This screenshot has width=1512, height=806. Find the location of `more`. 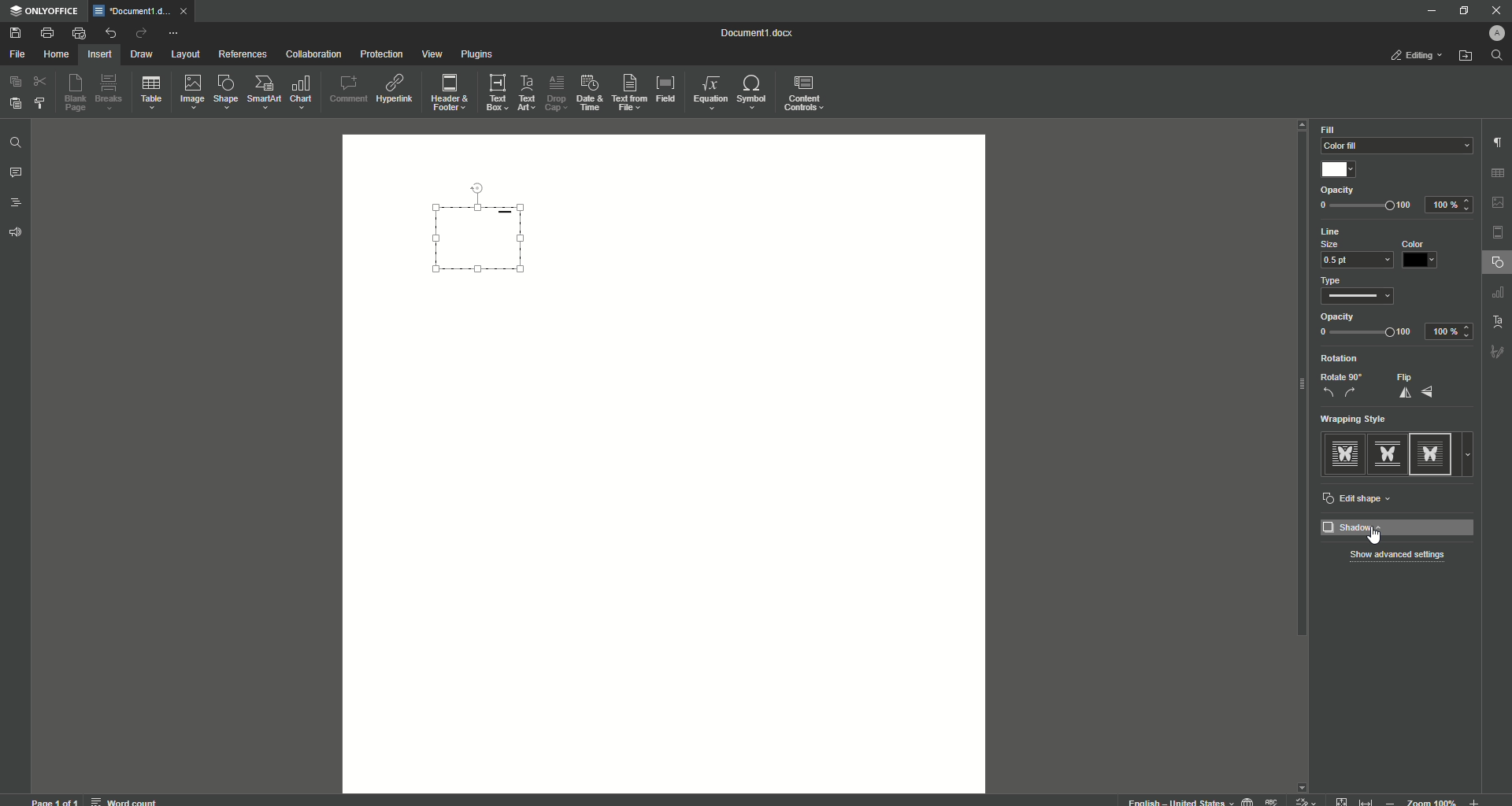

more is located at coordinates (1472, 454).